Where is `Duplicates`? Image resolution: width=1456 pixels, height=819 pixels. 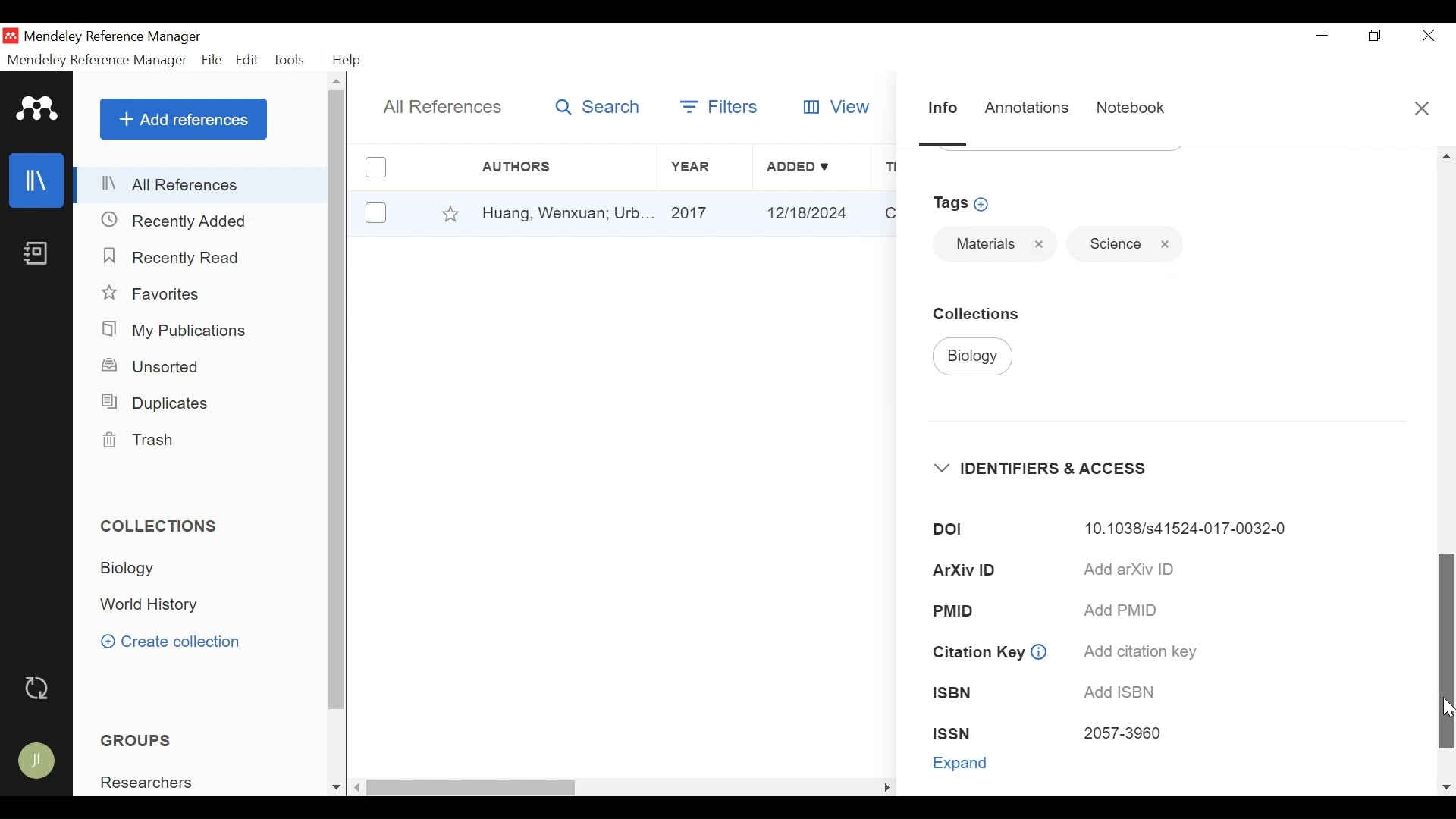 Duplicates is located at coordinates (158, 405).